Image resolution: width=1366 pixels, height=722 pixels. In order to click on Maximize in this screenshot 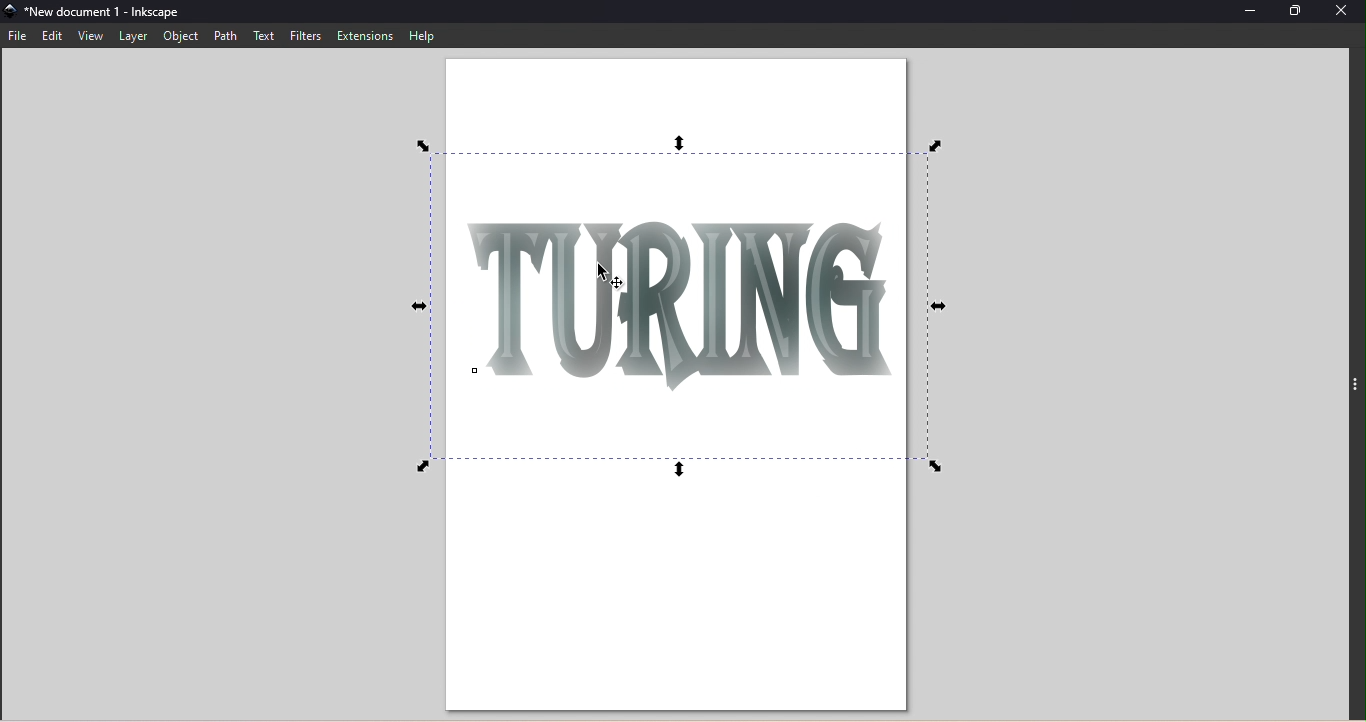, I will do `click(1301, 12)`.